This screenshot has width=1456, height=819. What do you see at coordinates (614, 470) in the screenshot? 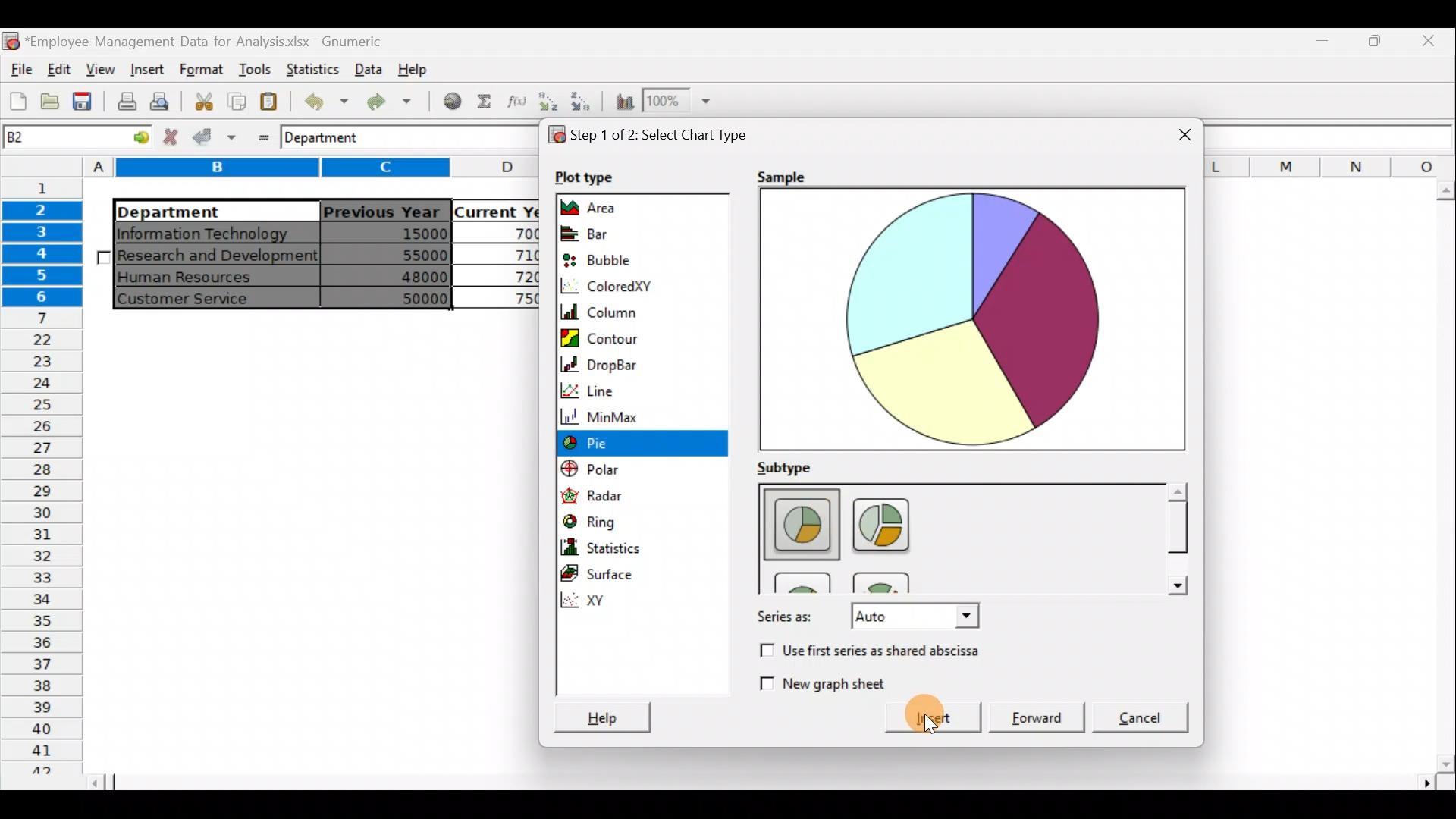
I see `Polar` at bounding box center [614, 470].